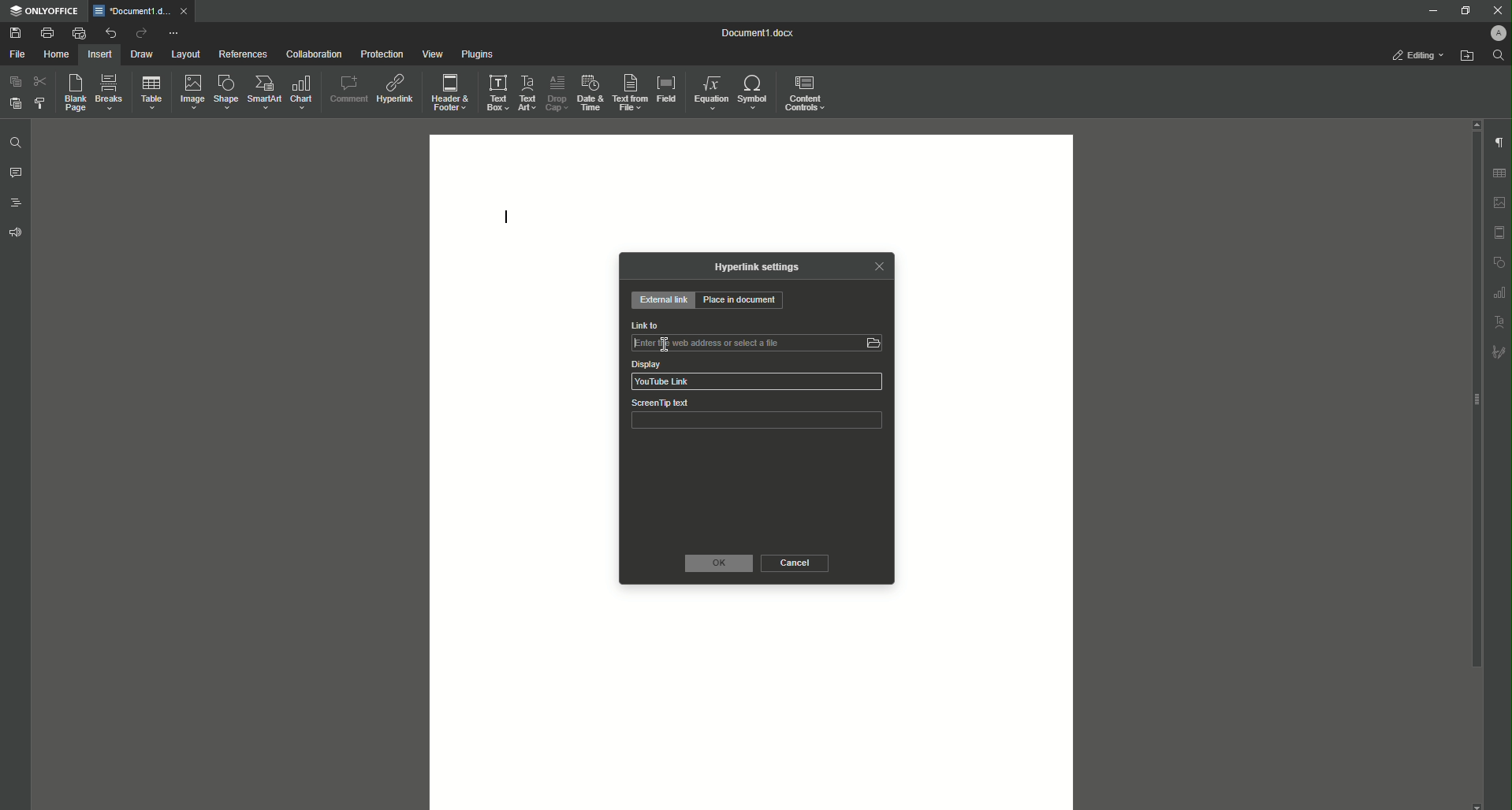 The height and width of the screenshot is (810, 1512). I want to click on Layout, so click(184, 54).